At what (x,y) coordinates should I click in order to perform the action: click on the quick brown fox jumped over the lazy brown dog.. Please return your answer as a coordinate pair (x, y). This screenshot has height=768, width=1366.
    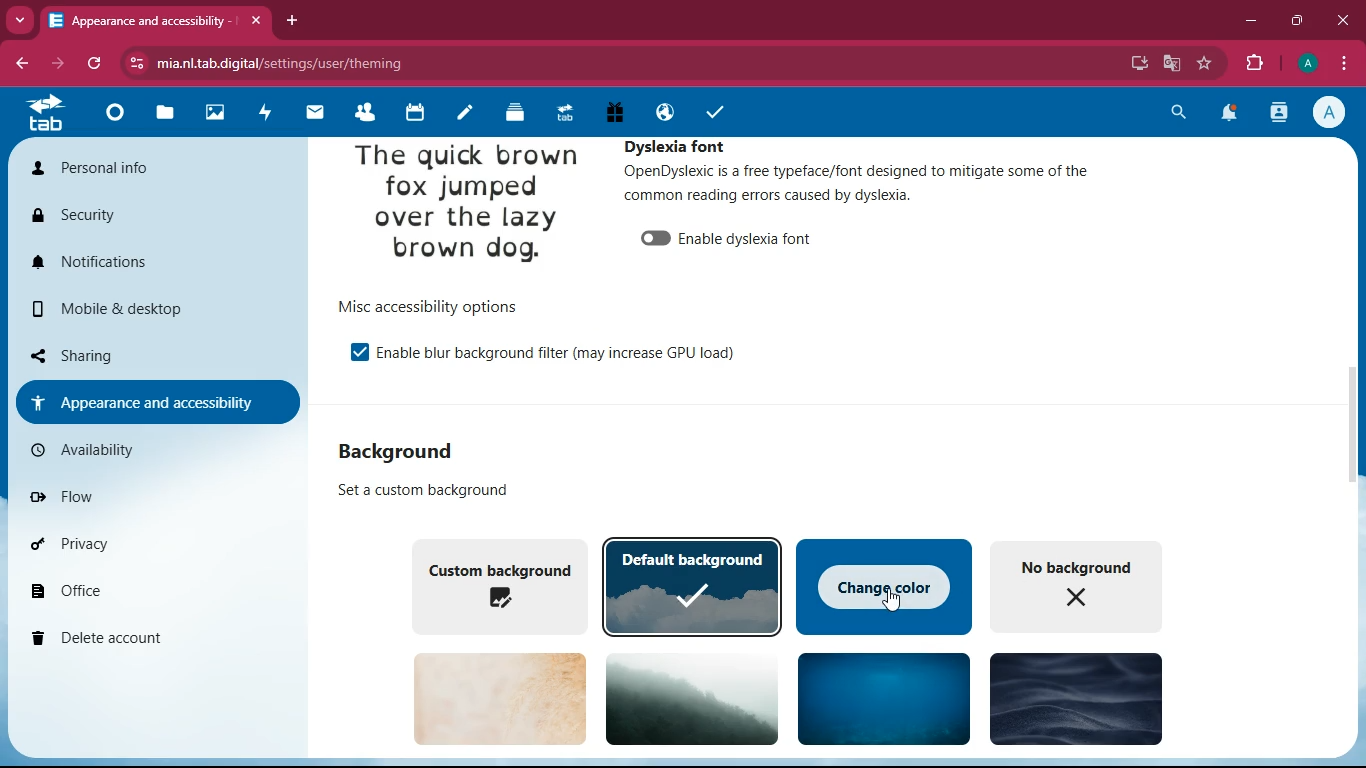
    Looking at the image, I should click on (467, 207).